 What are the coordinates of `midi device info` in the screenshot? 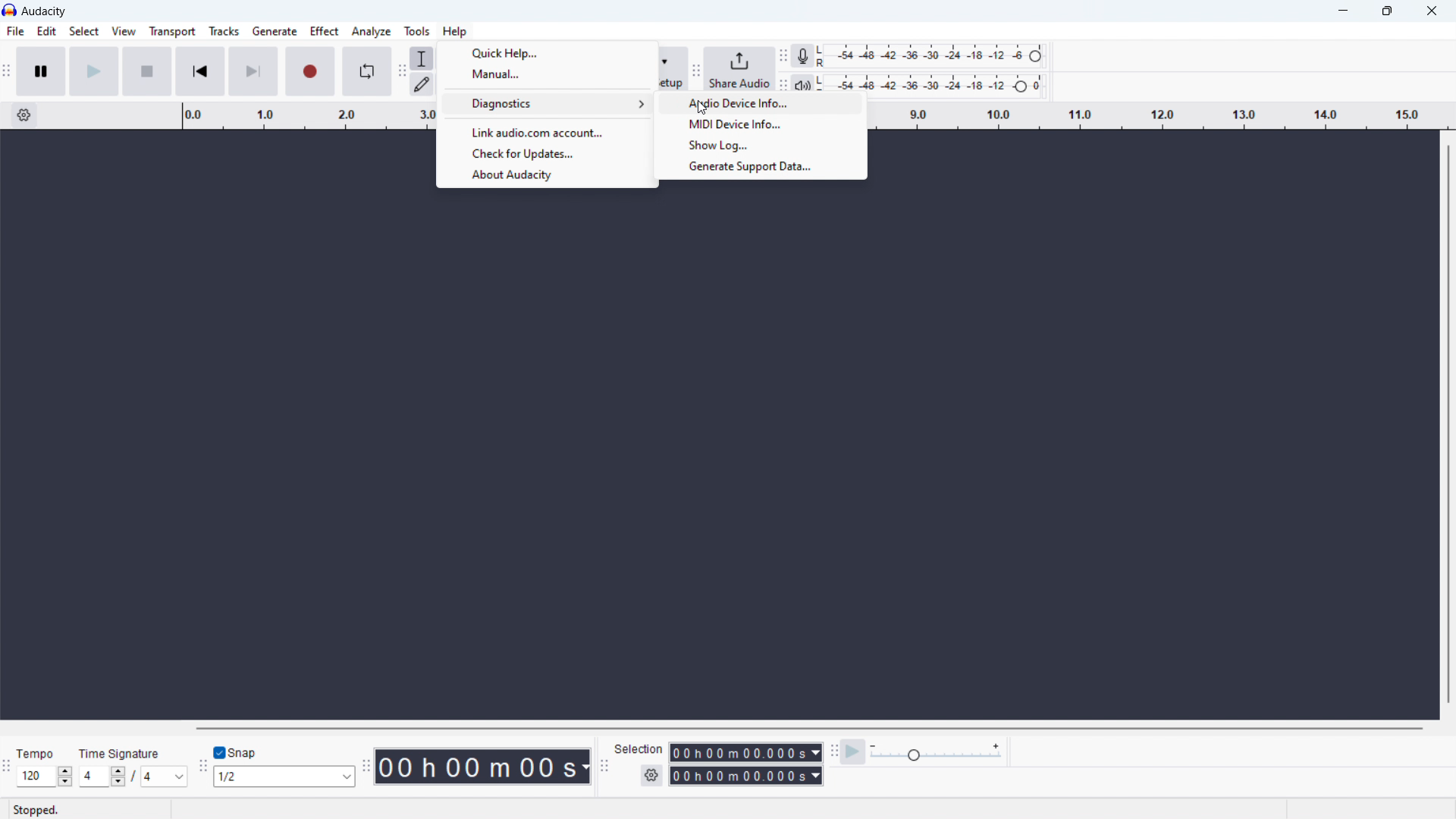 It's located at (761, 125).